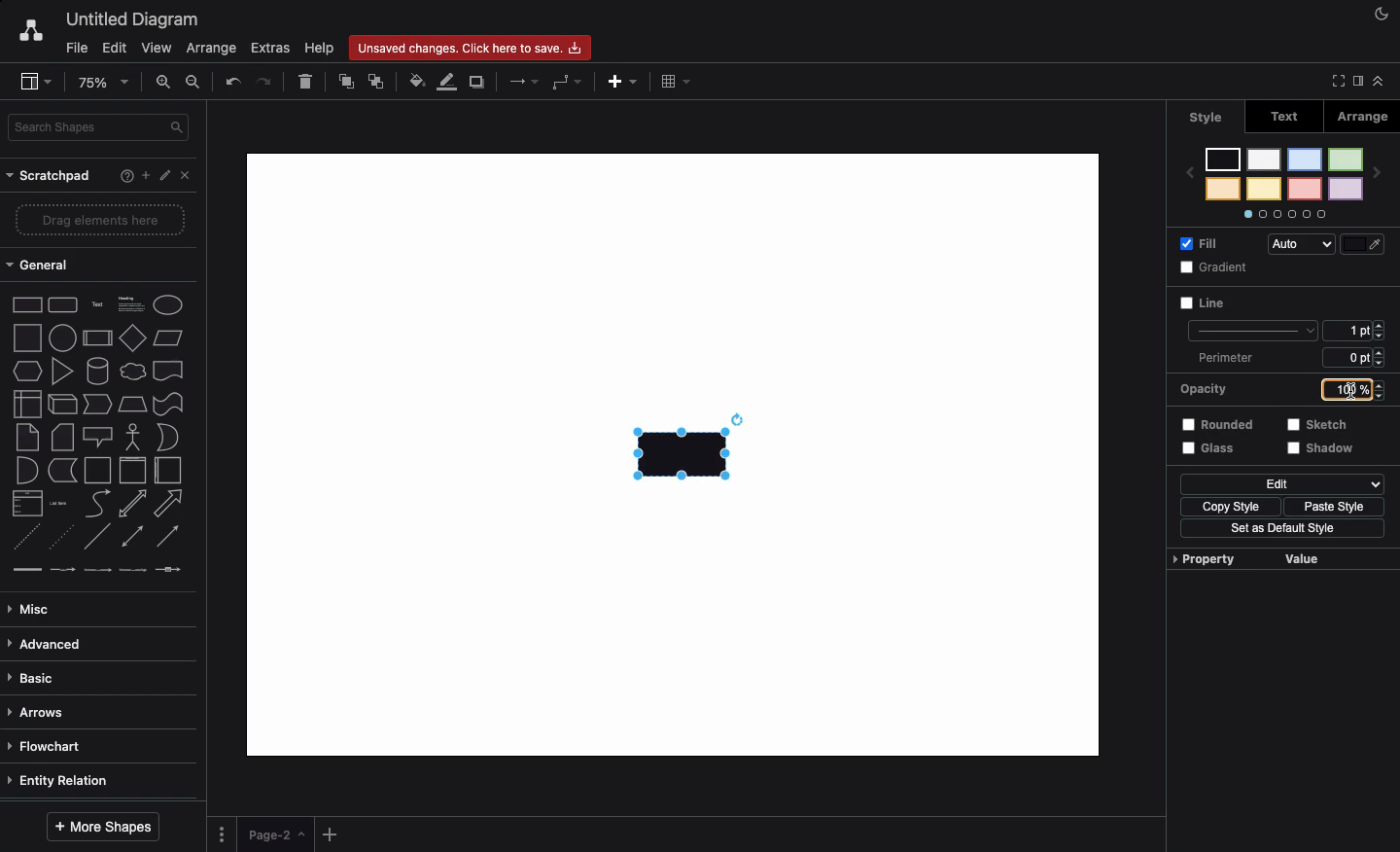 This screenshot has height=852, width=1400. Describe the element at coordinates (103, 219) in the screenshot. I see `Drag elements here` at that location.